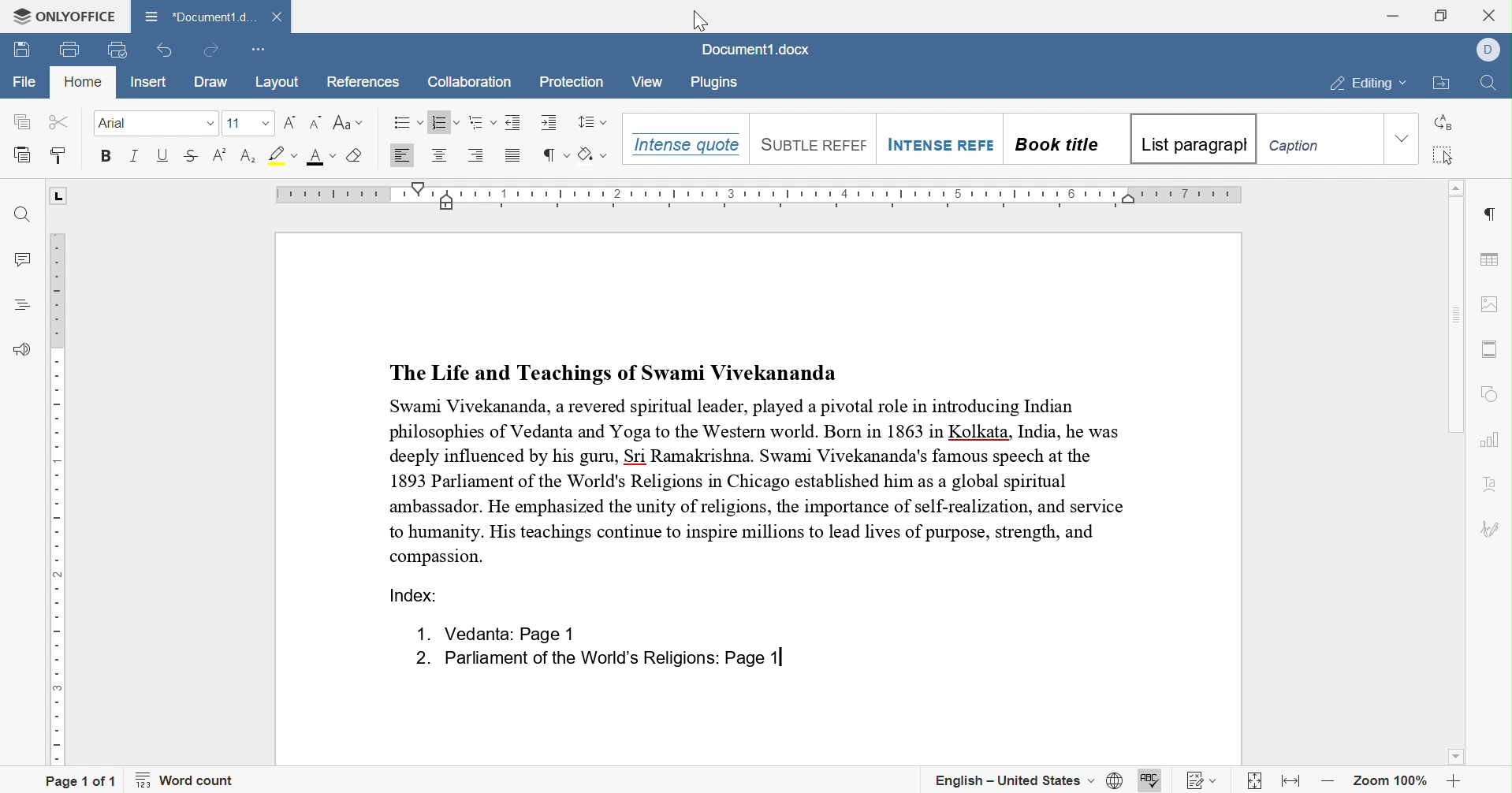 Image resolution: width=1512 pixels, height=793 pixels. I want to click on english - united states, so click(1015, 780).